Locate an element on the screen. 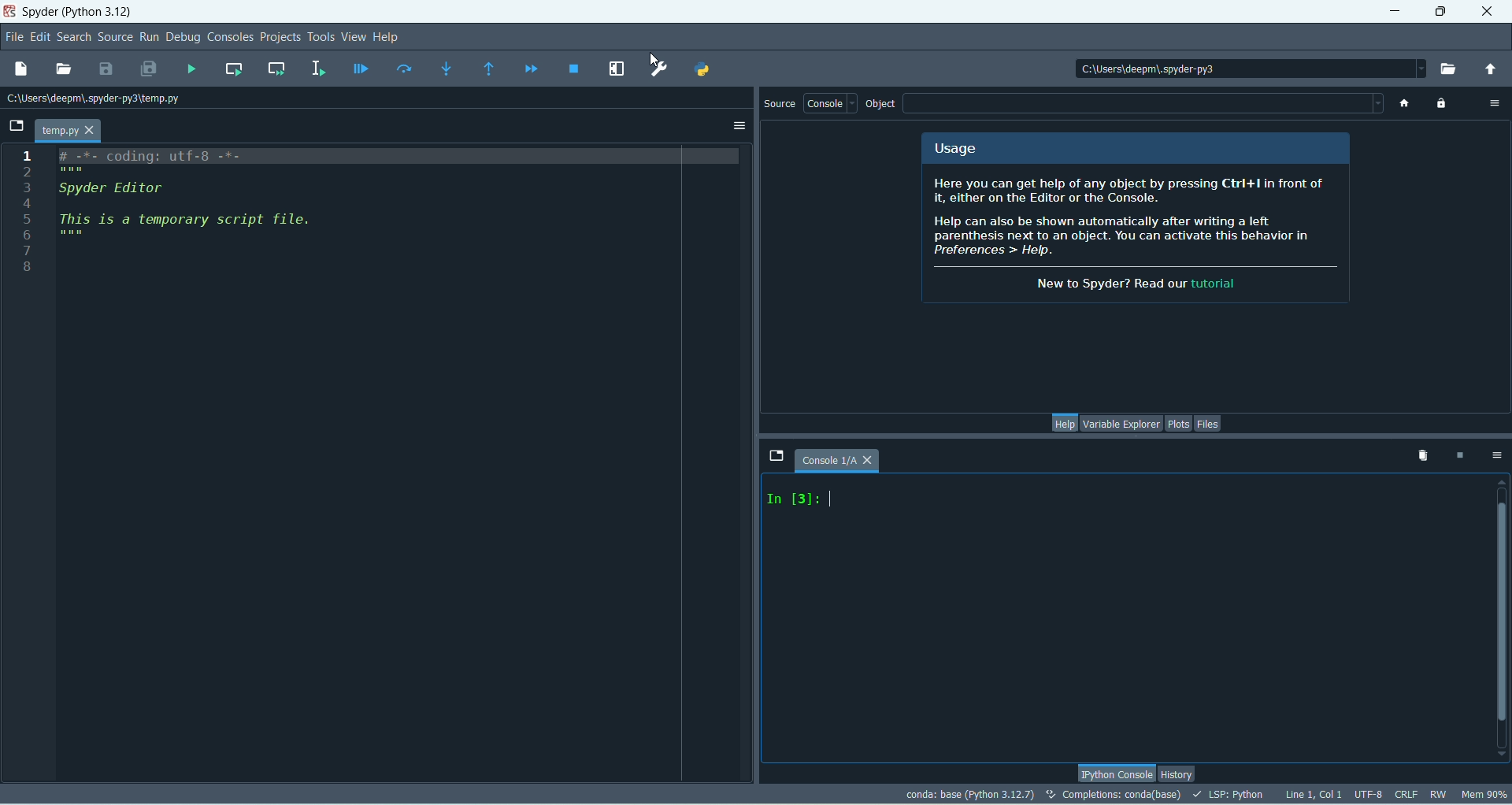 The image size is (1512, 805). In [3]:  is located at coordinates (792, 503).